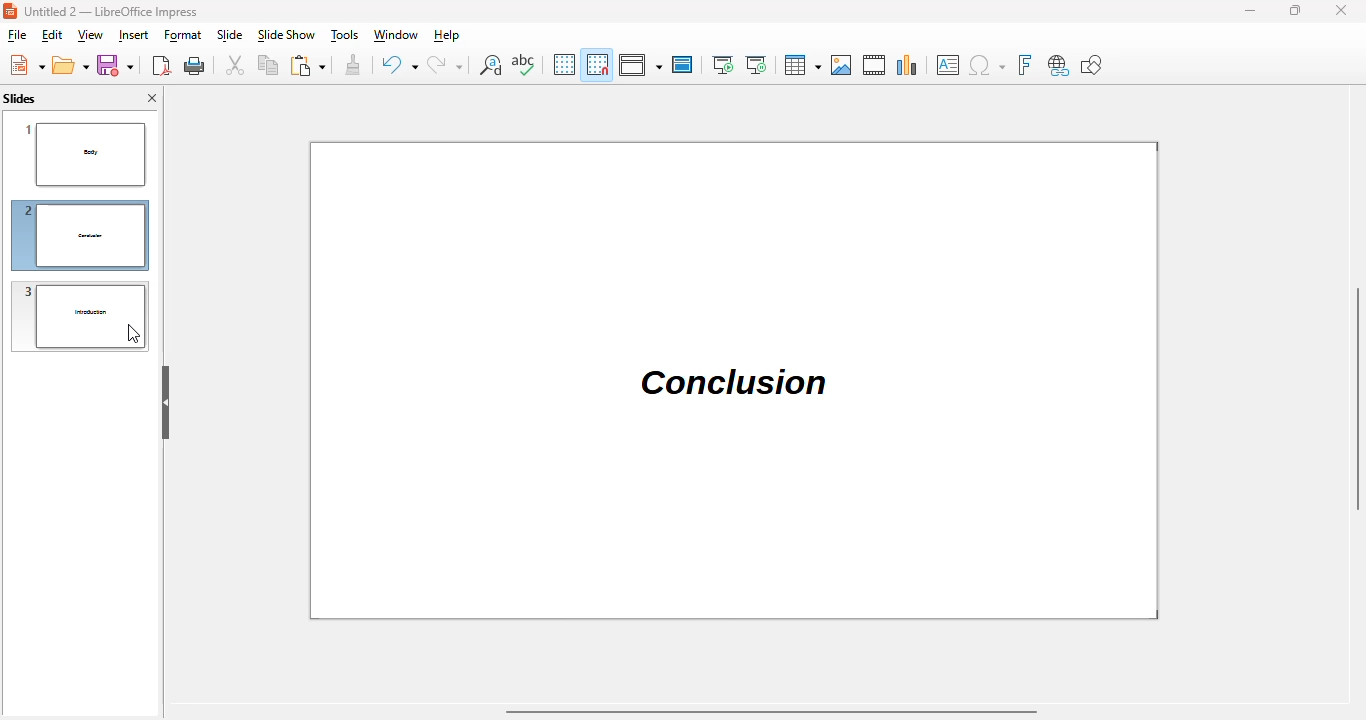 The height and width of the screenshot is (720, 1366). Describe the element at coordinates (773, 712) in the screenshot. I see `horizontal scroll bar` at that location.